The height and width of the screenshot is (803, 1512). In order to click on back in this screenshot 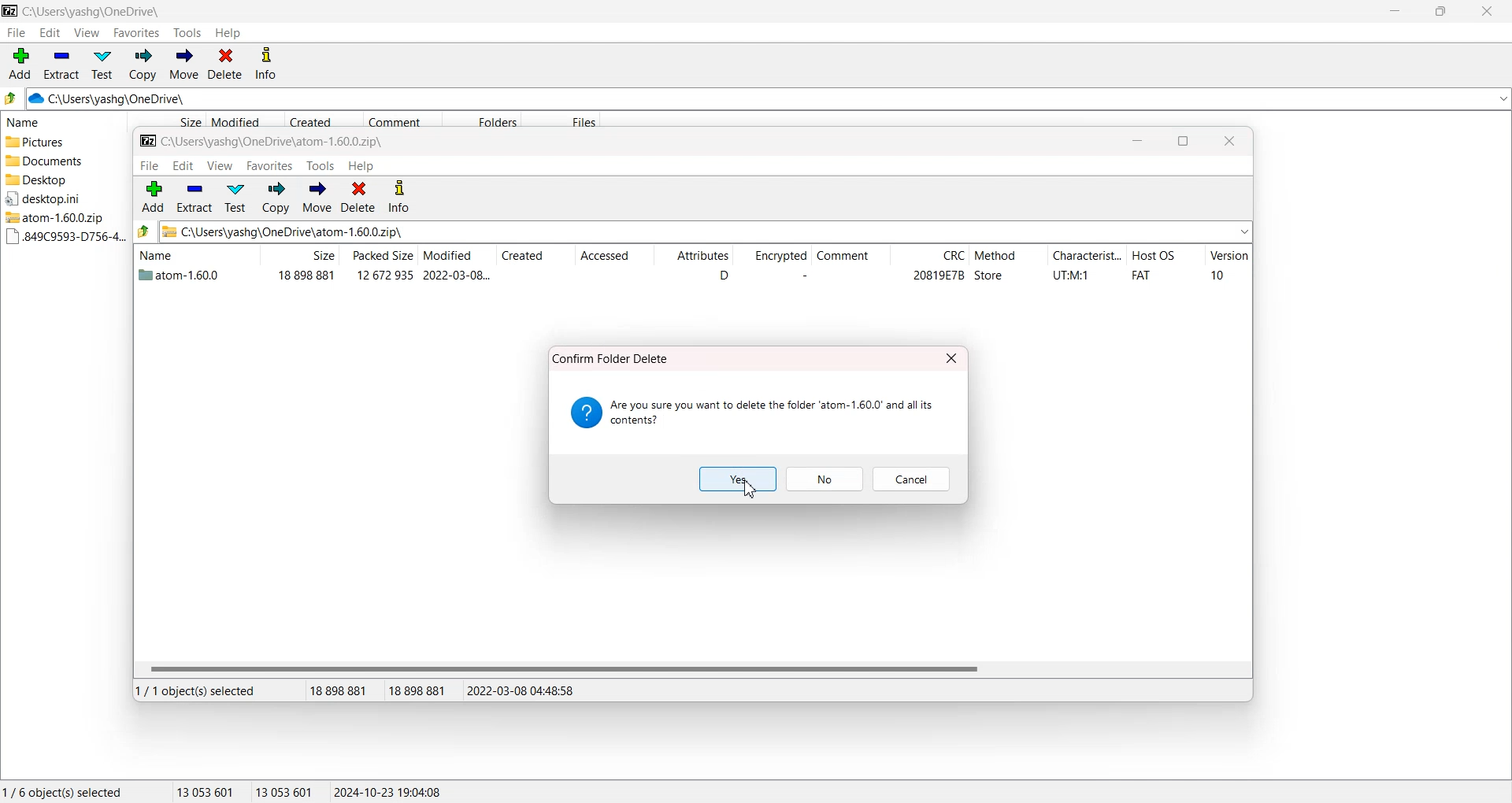, I will do `click(144, 231)`.